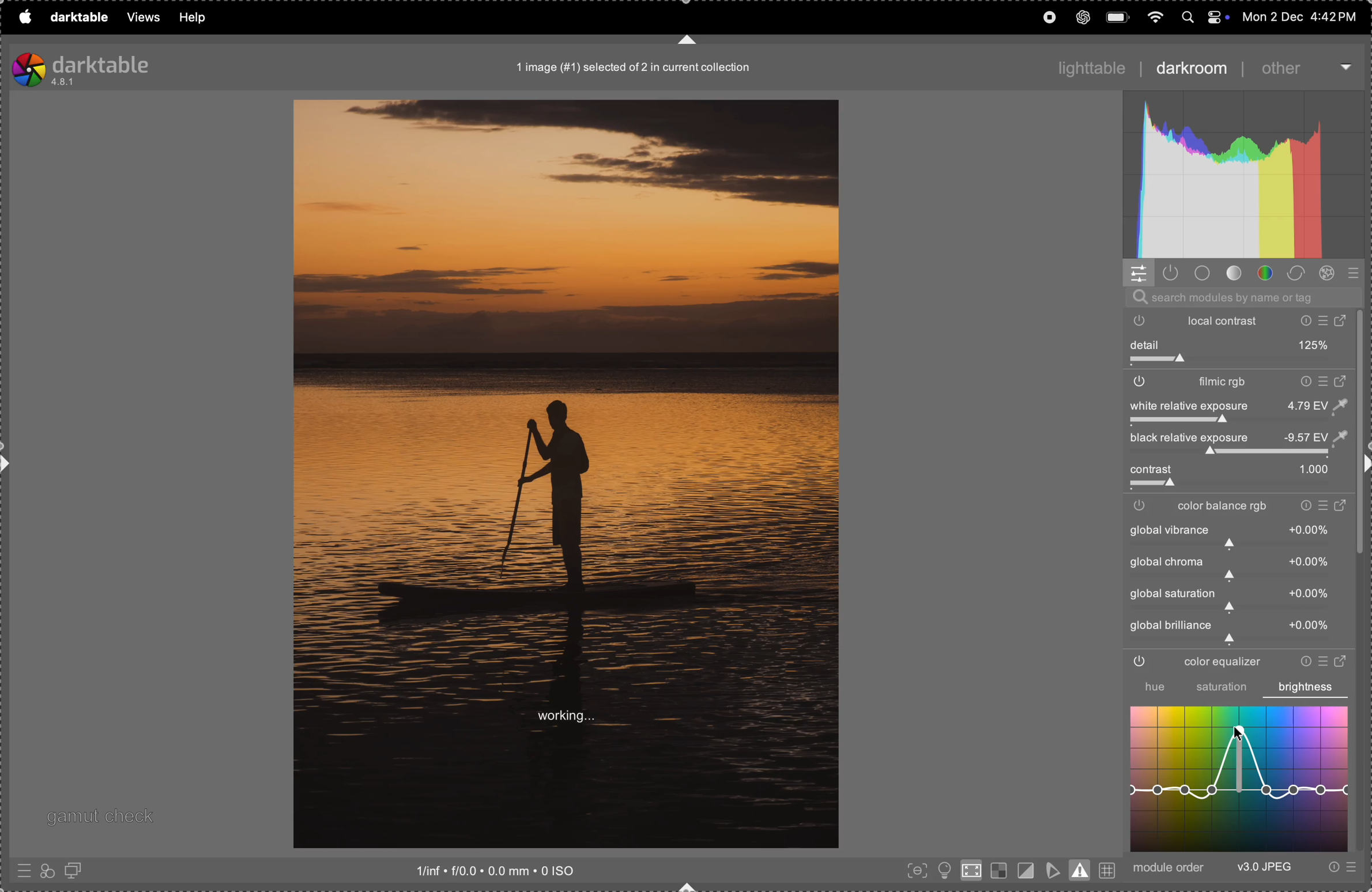 This screenshot has width=1372, height=892. I want to click on detail, so click(1240, 345).